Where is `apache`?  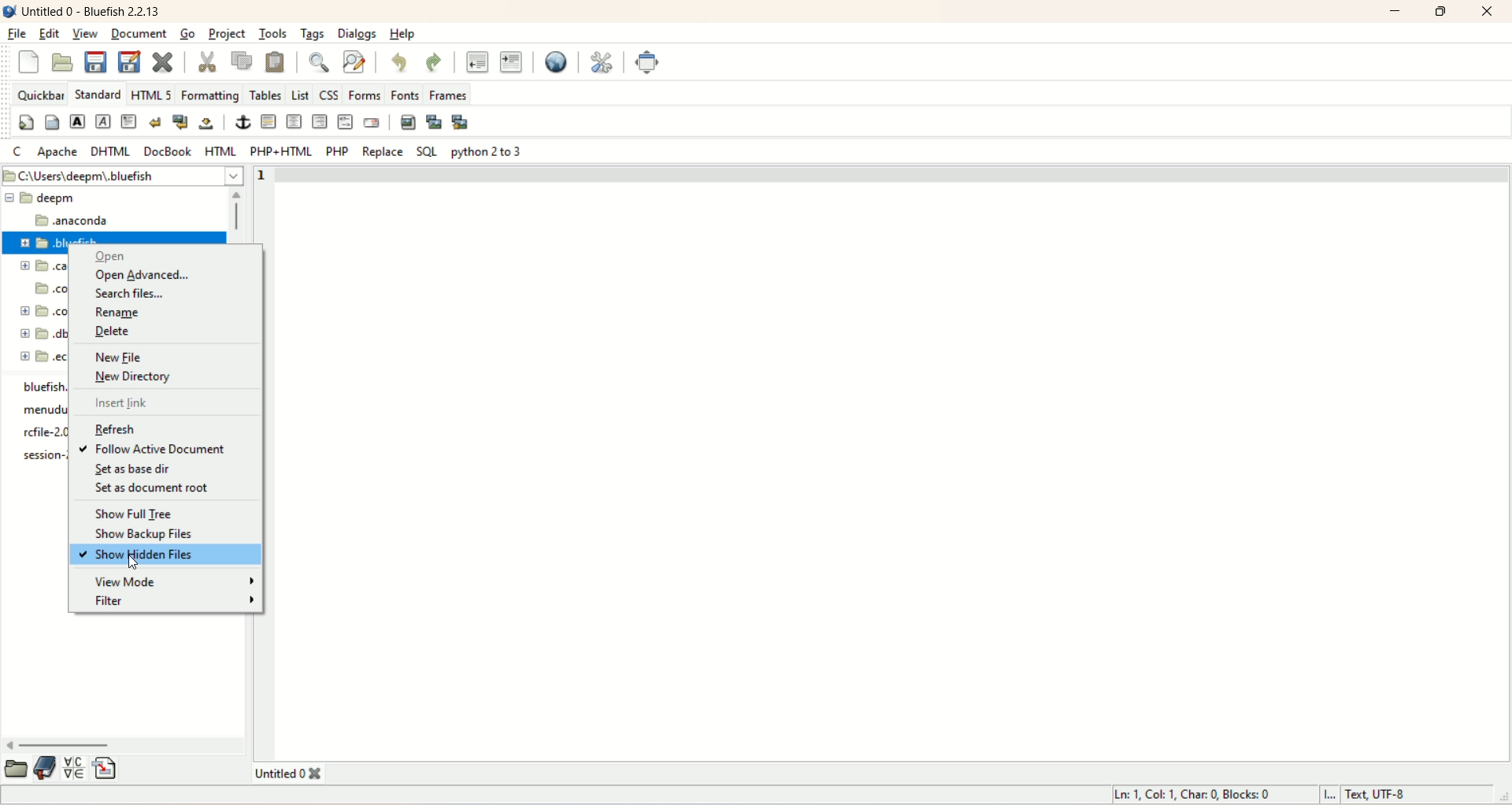 apache is located at coordinates (57, 153).